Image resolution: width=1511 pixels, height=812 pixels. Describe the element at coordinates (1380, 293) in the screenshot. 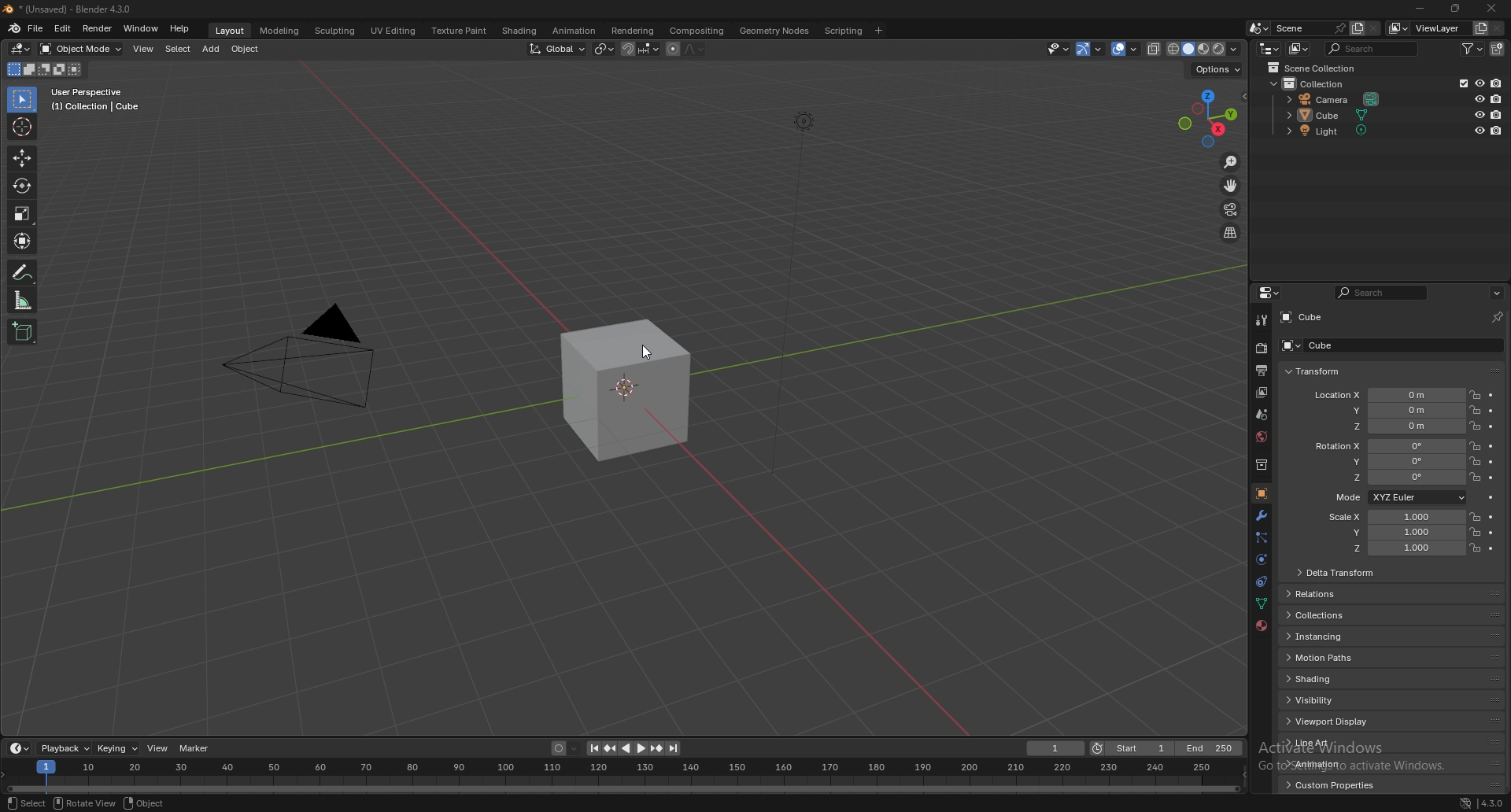

I see `search` at that location.